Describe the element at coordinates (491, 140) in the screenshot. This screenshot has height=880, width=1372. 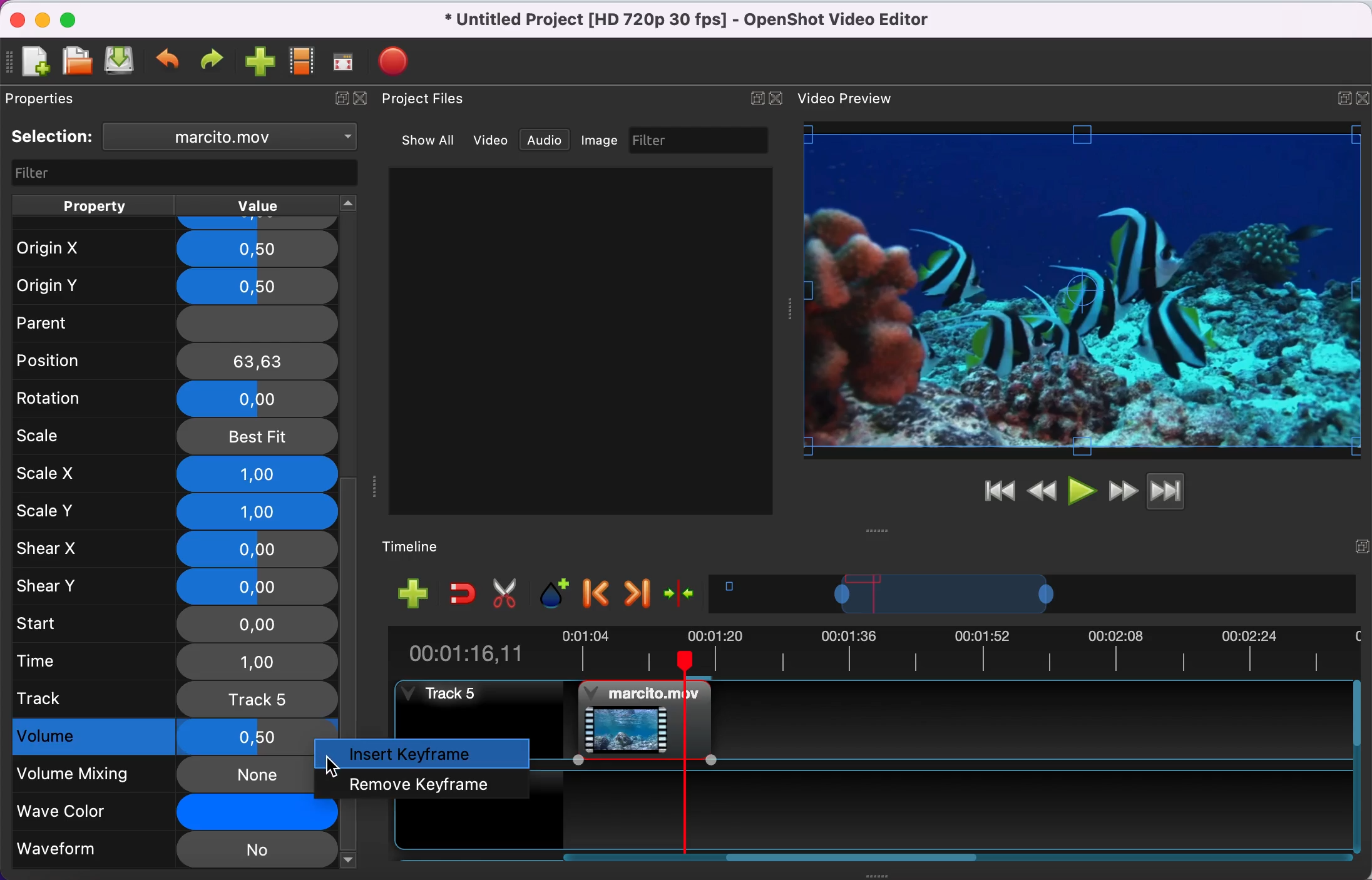
I see `video` at that location.